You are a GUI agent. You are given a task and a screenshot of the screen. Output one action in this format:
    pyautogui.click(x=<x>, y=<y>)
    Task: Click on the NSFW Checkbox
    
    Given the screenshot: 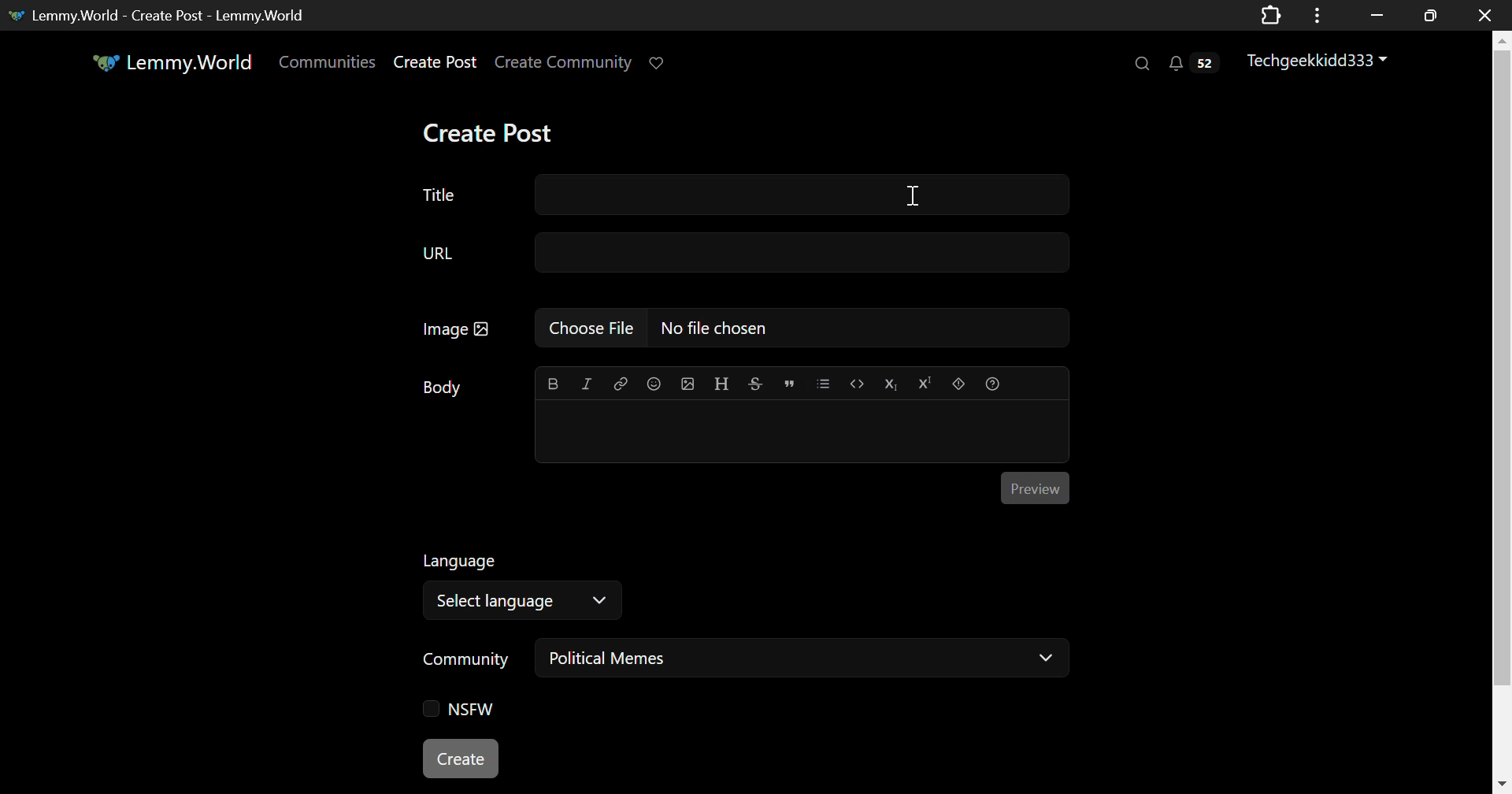 What is the action you would take?
    pyautogui.click(x=454, y=710)
    